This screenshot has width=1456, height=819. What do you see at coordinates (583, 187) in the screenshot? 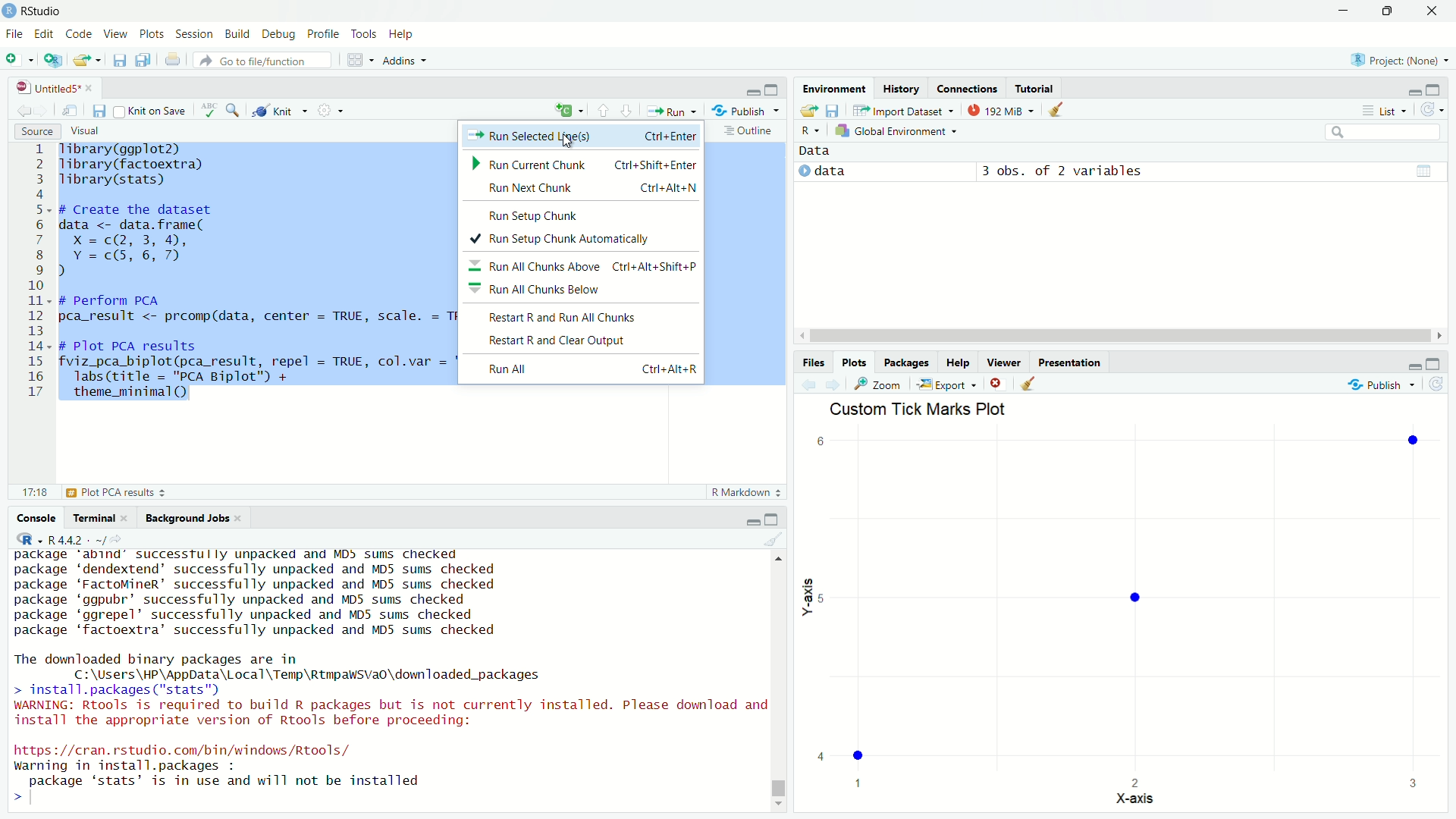
I see `run next chunk` at bounding box center [583, 187].